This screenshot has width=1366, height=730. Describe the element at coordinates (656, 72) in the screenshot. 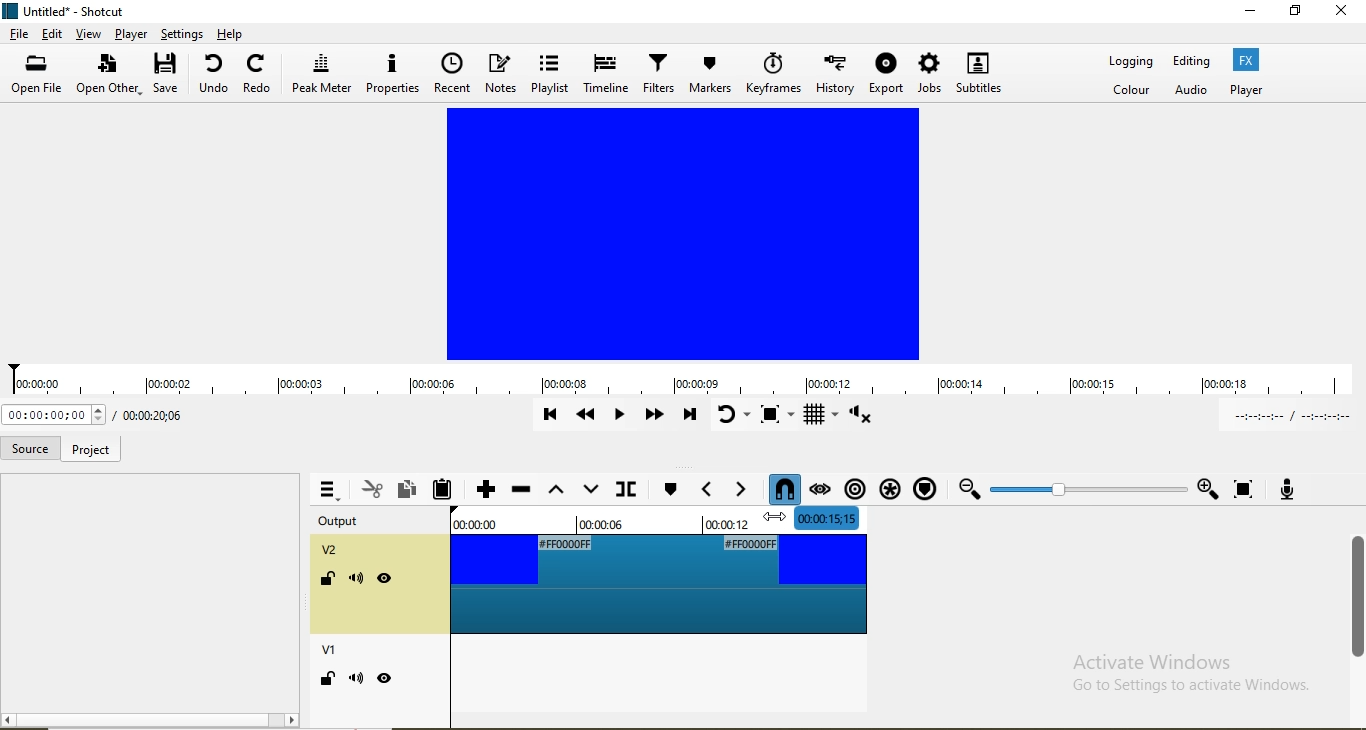

I see `filters` at that location.